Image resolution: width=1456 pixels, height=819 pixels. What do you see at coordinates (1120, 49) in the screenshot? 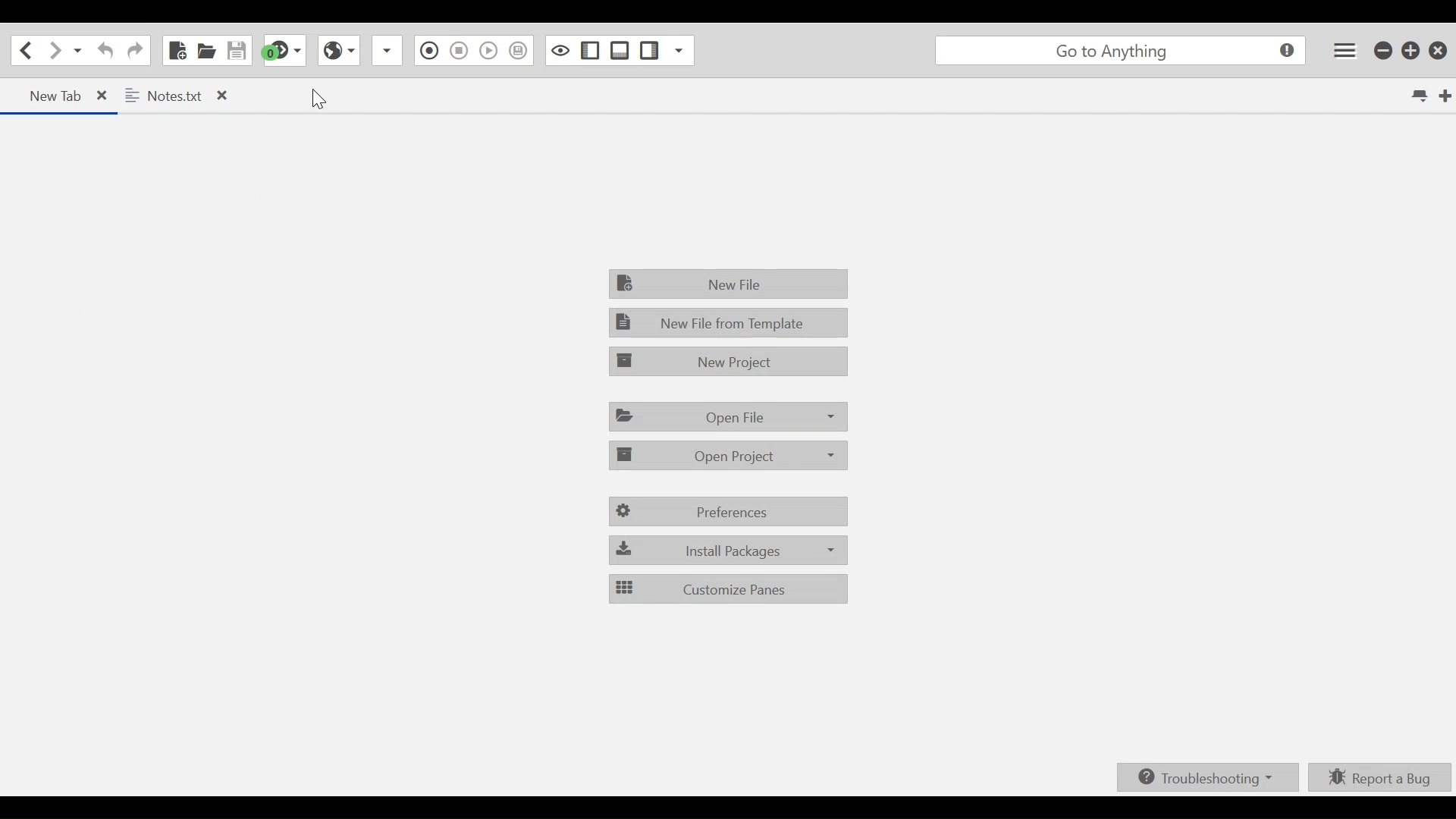
I see `Search ` at bounding box center [1120, 49].